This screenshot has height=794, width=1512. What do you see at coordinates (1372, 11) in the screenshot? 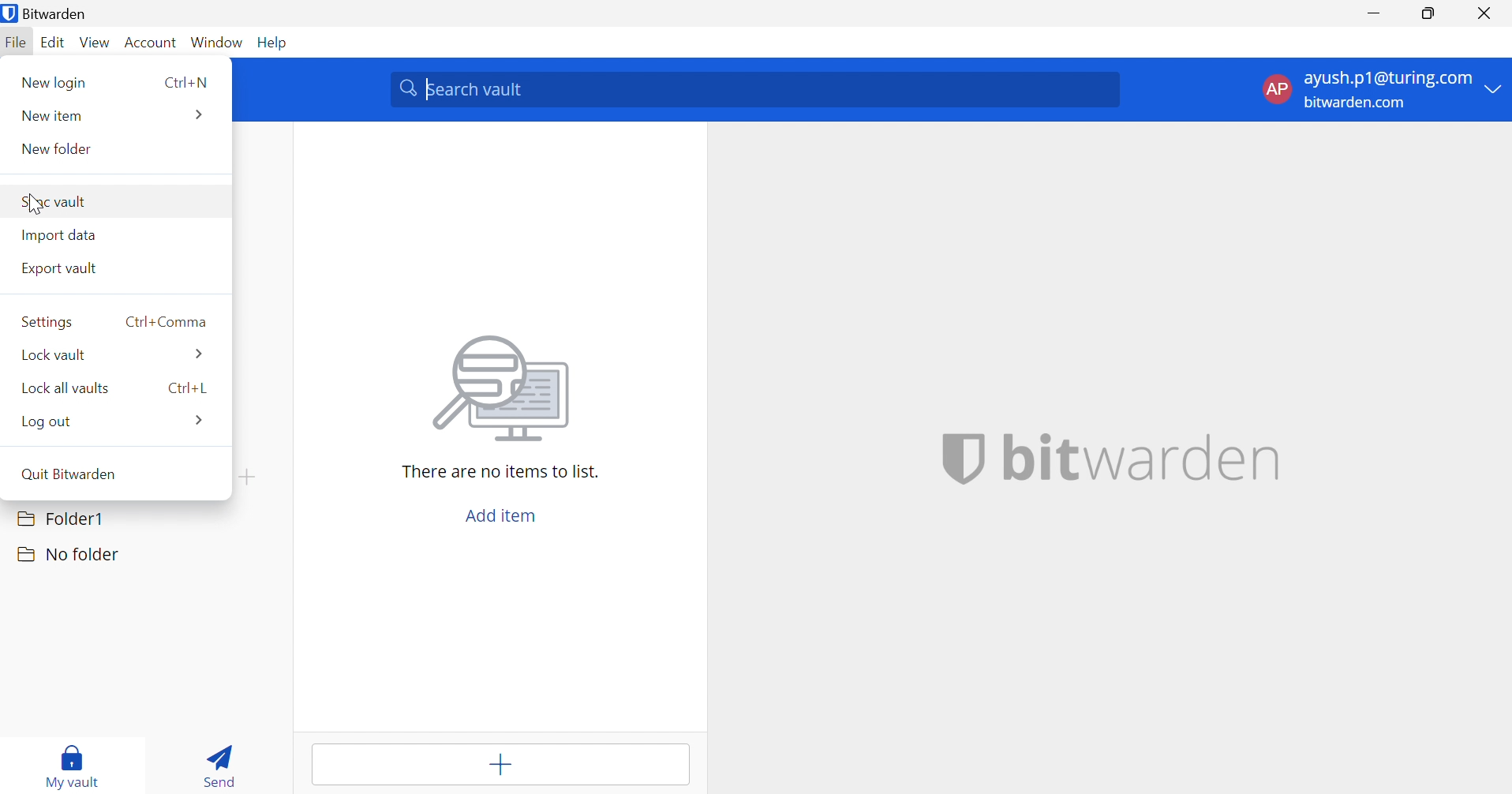
I see `Minimize` at bounding box center [1372, 11].